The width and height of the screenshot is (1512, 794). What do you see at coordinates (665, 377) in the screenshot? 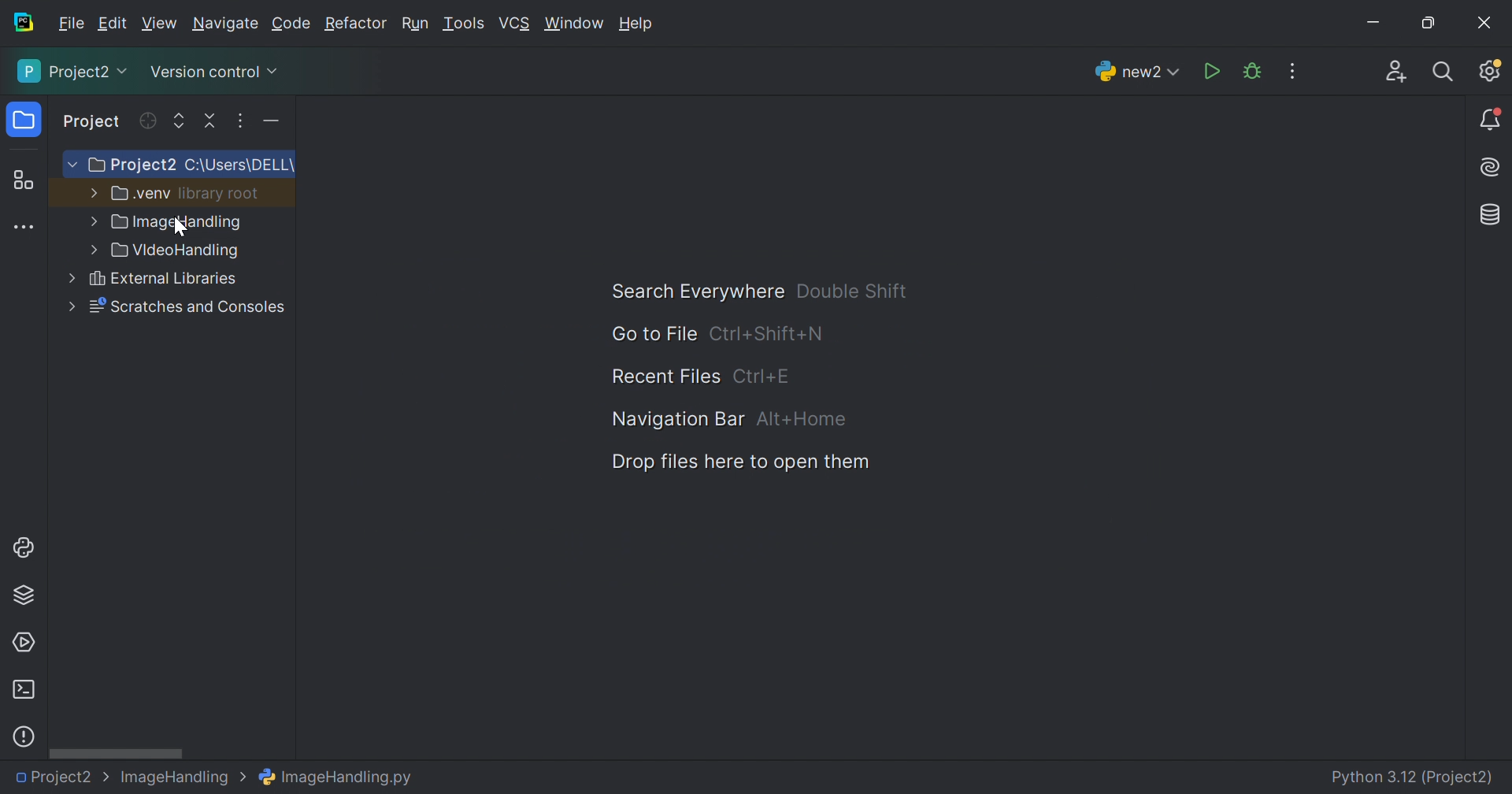
I see `Recent Files` at bounding box center [665, 377].